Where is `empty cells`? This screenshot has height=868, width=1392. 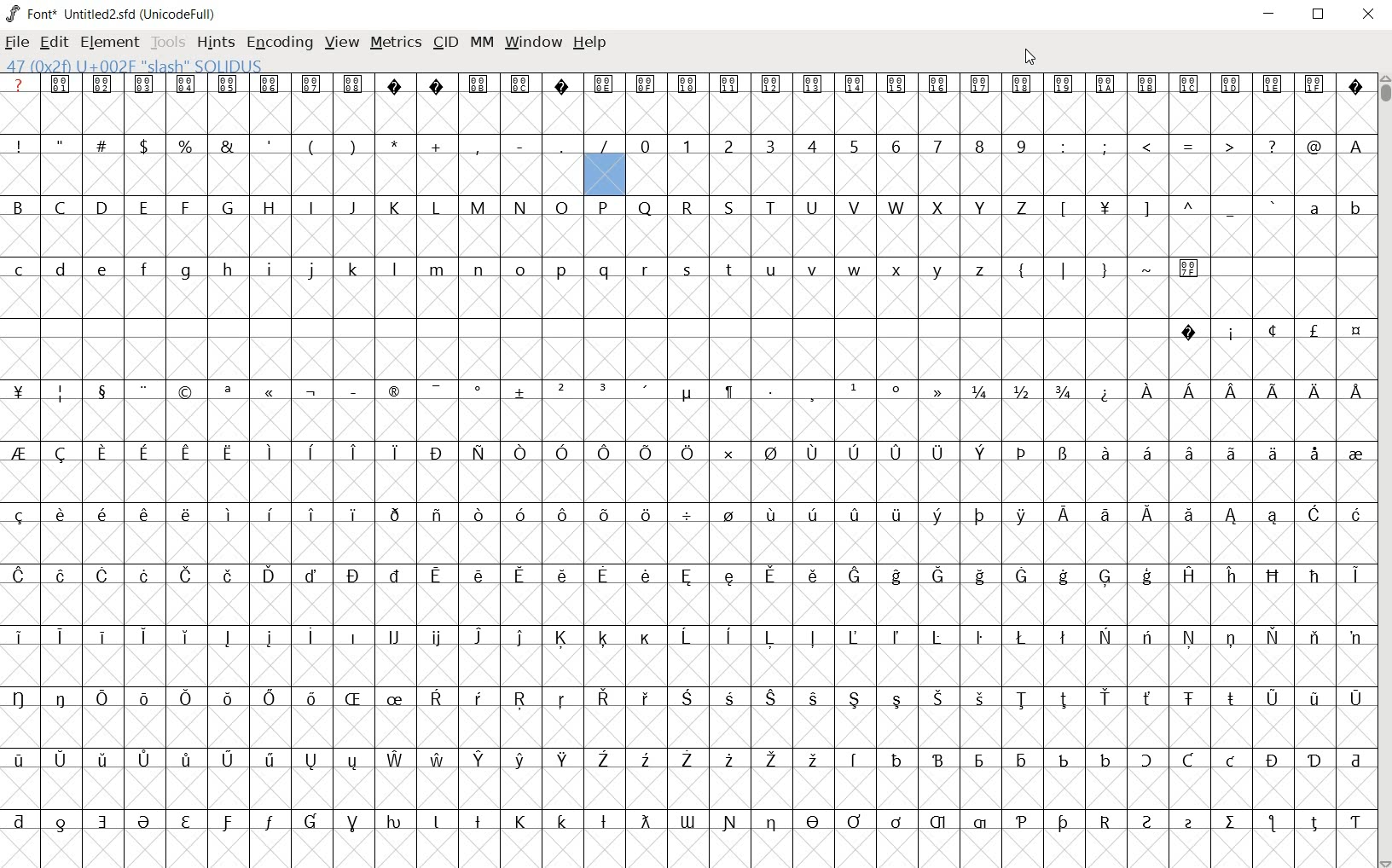
empty cells is located at coordinates (686, 422).